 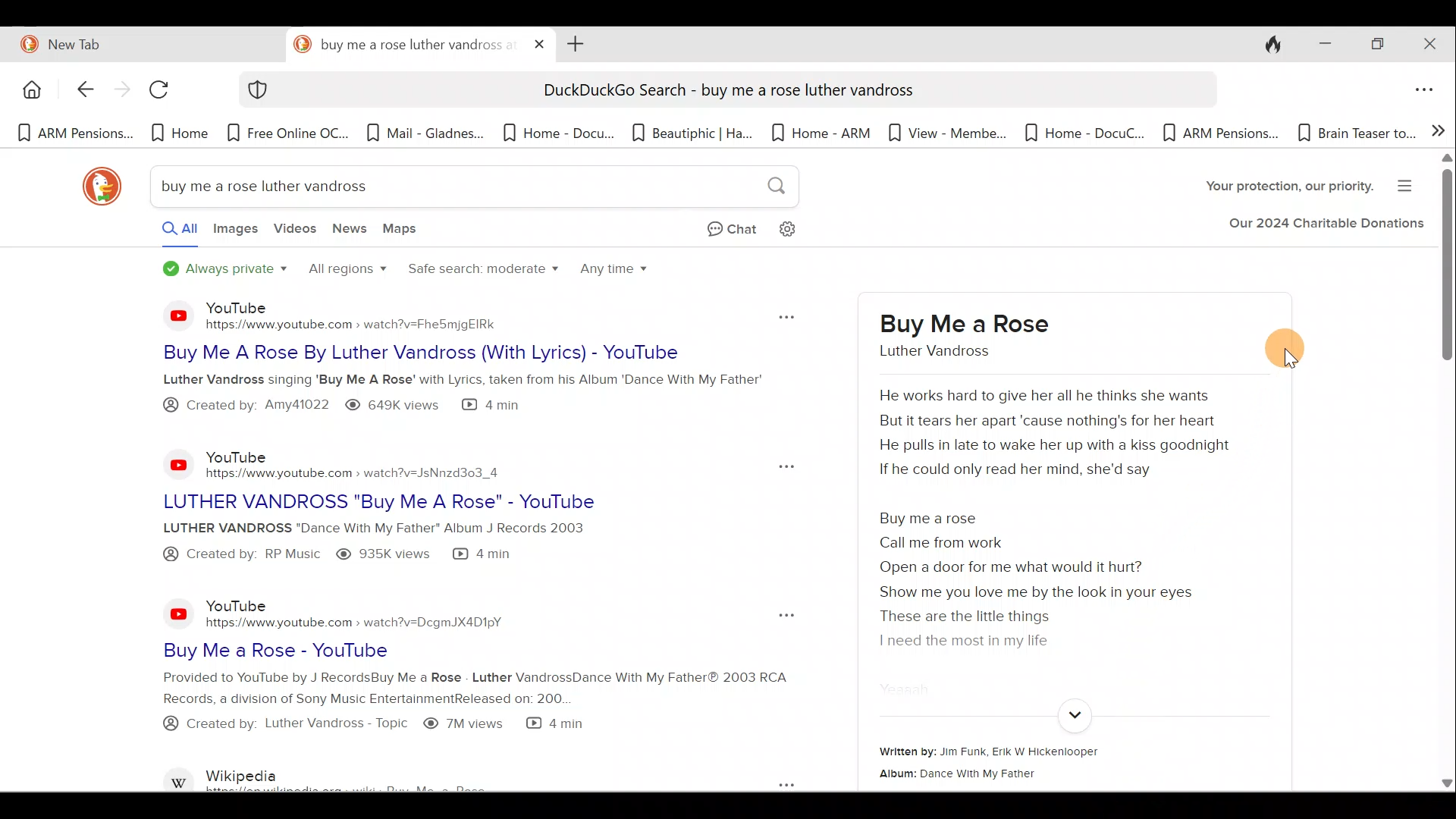 What do you see at coordinates (720, 231) in the screenshot?
I see `Chat privately with AI` at bounding box center [720, 231].